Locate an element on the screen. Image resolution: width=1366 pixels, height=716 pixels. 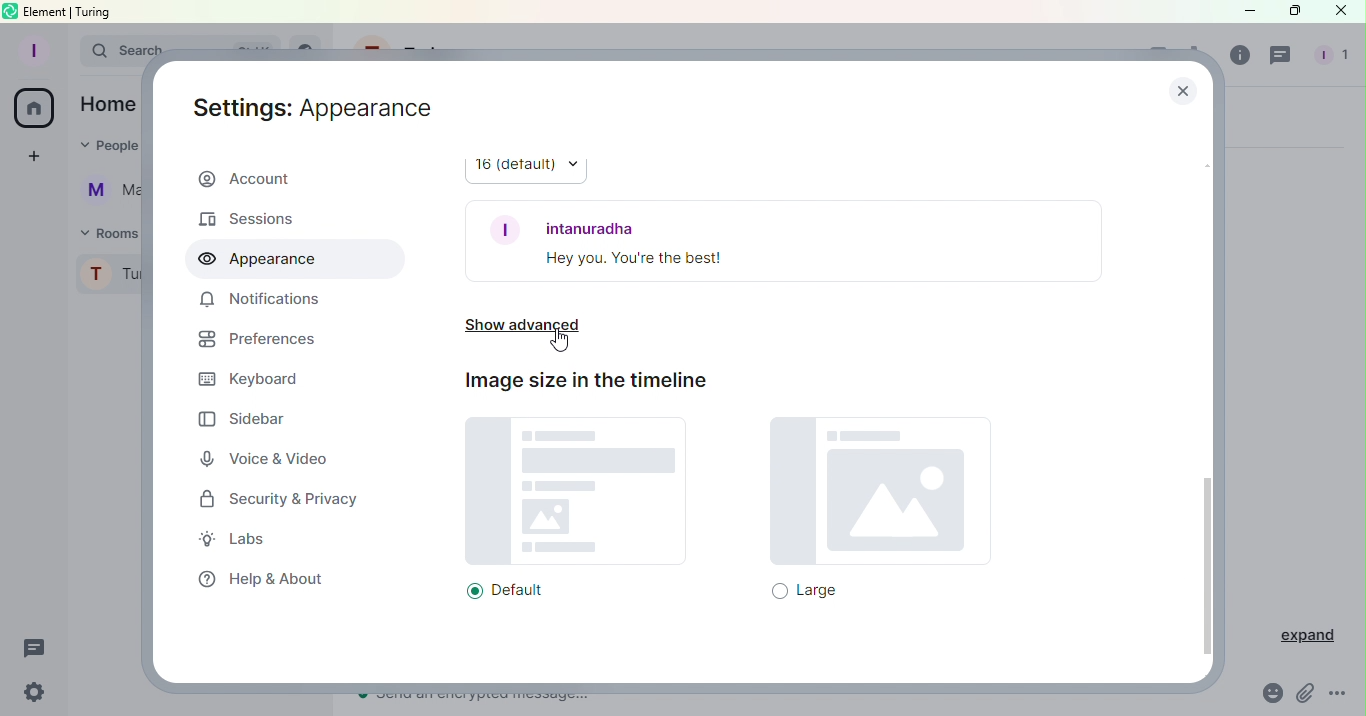
Sidebar is located at coordinates (249, 421).